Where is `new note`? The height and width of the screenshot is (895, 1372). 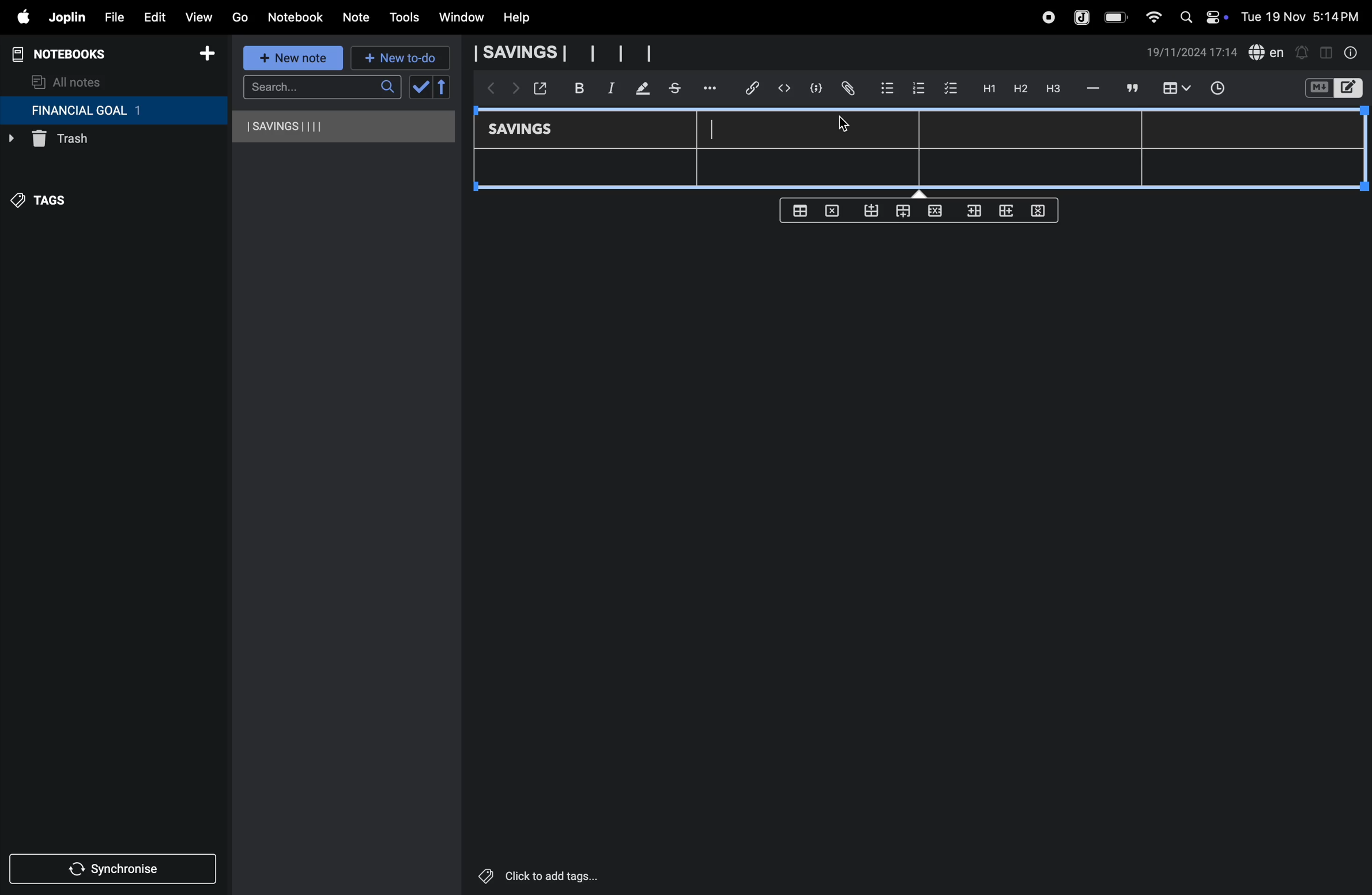
new note is located at coordinates (295, 59).